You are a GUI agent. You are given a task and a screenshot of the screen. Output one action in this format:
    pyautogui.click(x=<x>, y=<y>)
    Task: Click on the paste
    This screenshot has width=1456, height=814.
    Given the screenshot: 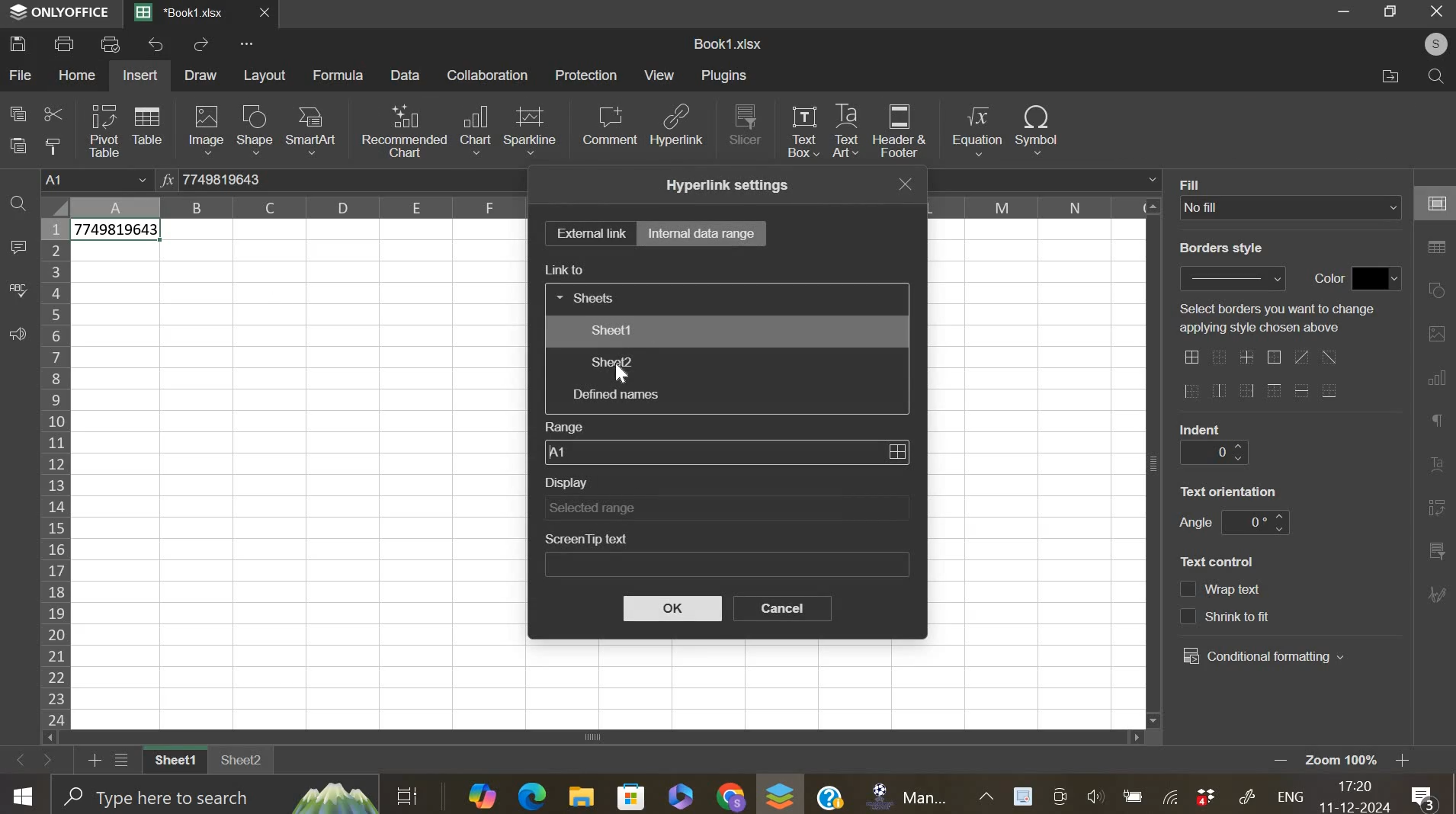 What is the action you would take?
    pyautogui.click(x=20, y=146)
    